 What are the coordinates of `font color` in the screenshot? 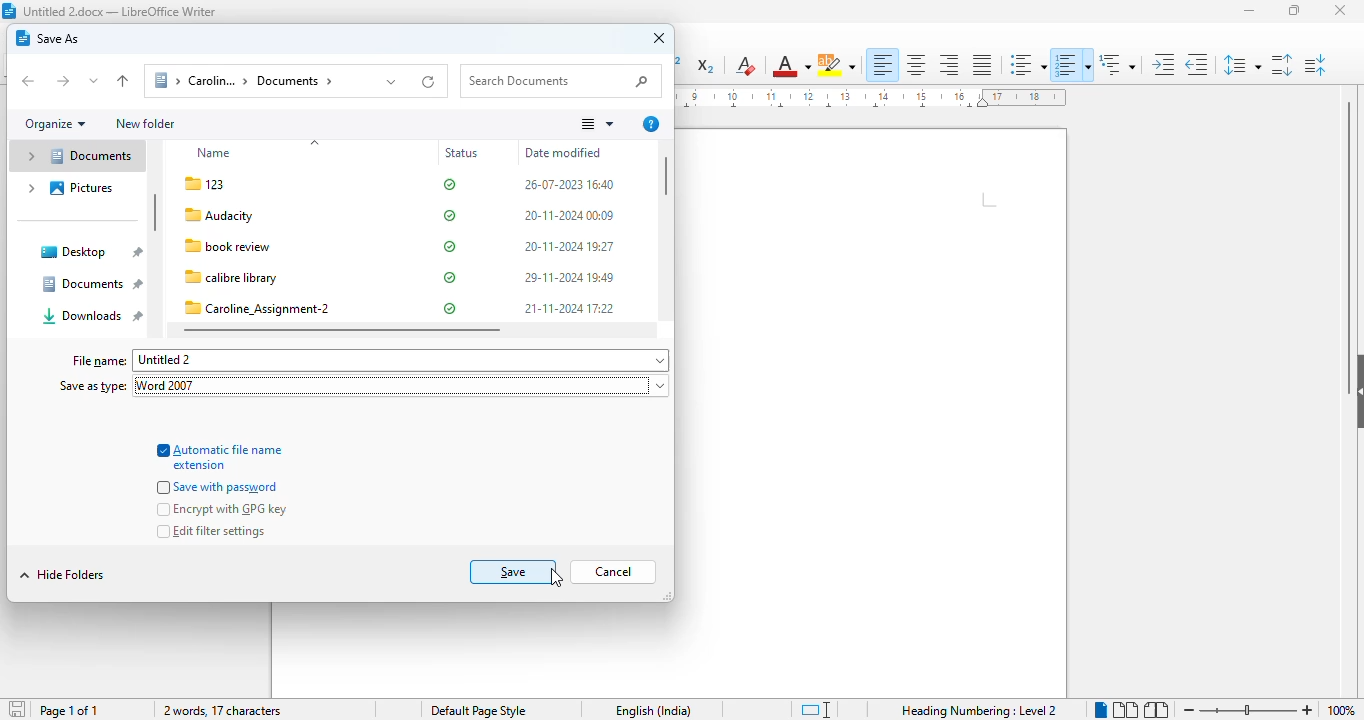 It's located at (791, 65).